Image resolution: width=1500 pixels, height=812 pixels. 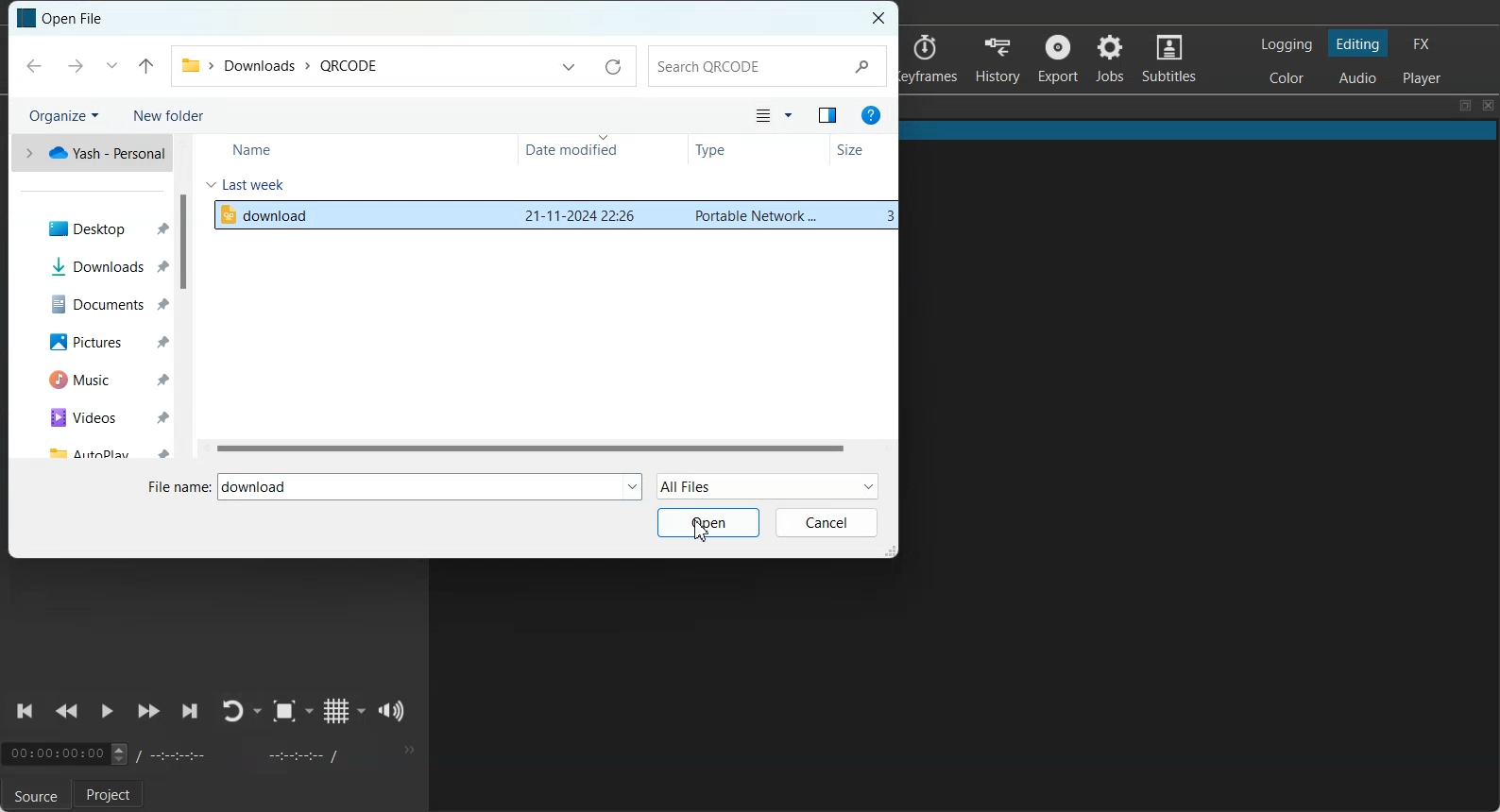 What do you see at coordinates (244, 754) in the screenshot?
I see `Recording time` at bounding box center [244, 754].